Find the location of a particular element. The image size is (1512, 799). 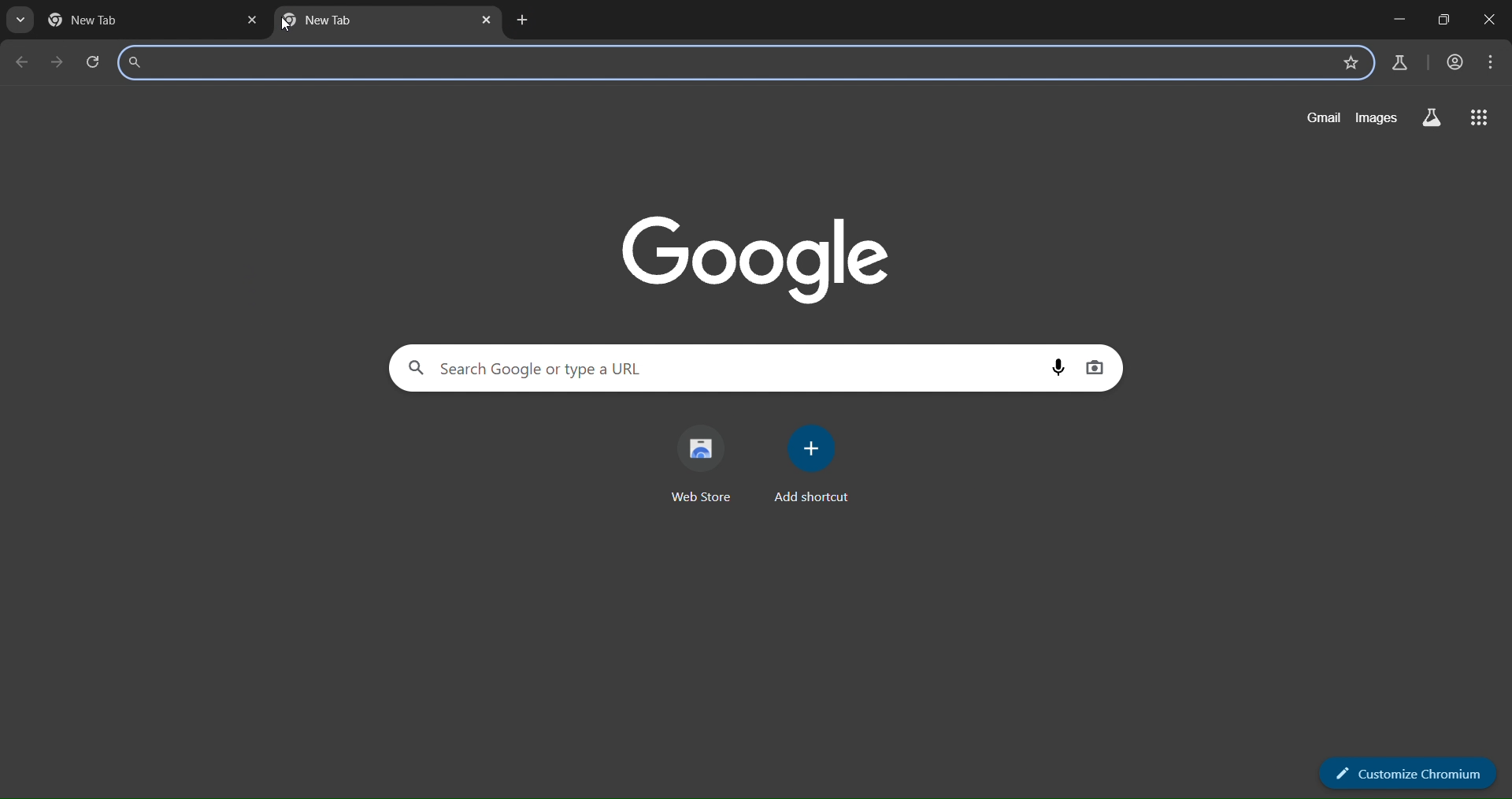

image search is located at coordinates (1098, 367).